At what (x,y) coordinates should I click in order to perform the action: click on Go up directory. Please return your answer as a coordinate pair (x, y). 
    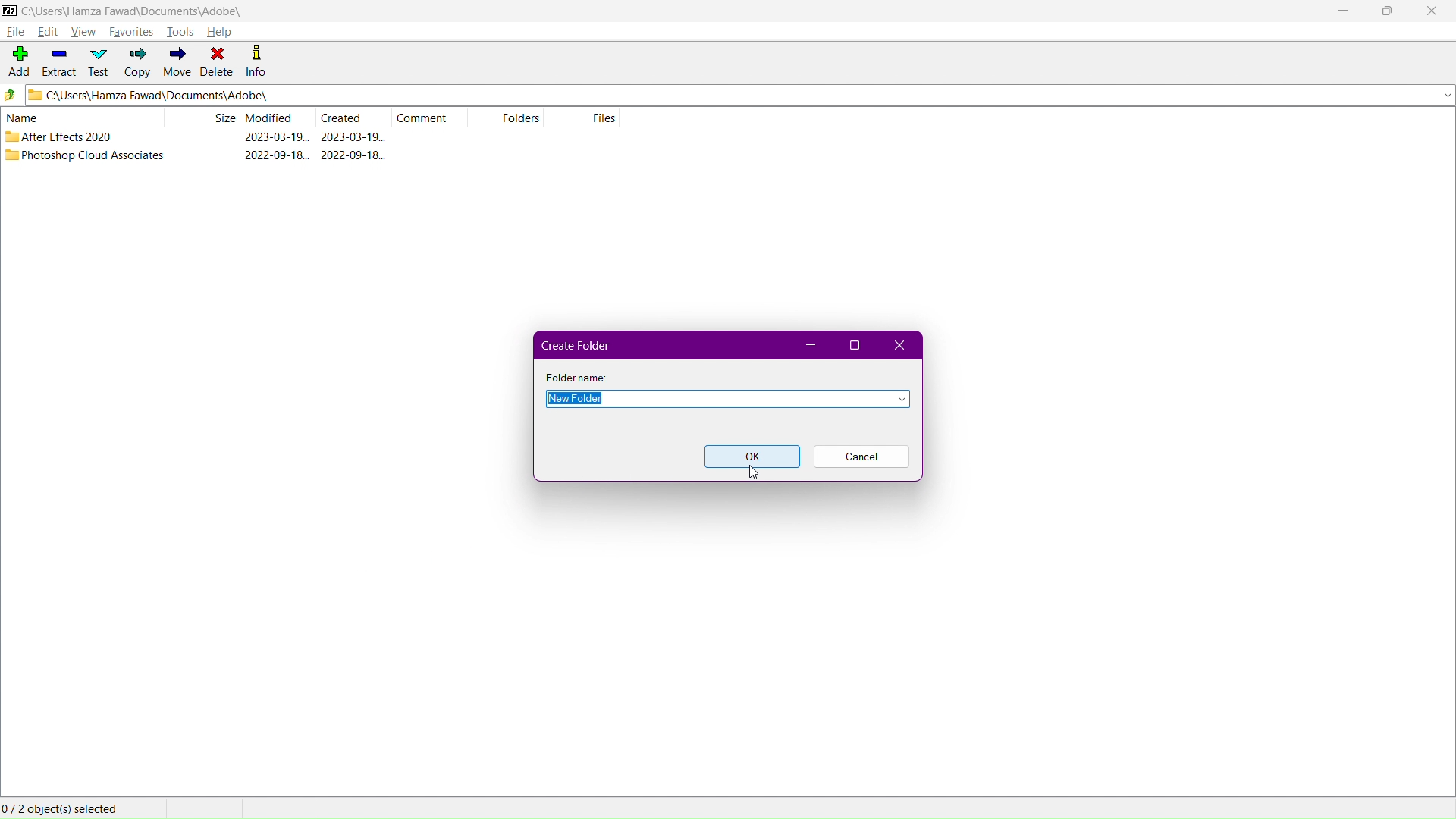
    Looking at the image, I should click on (11, 96).